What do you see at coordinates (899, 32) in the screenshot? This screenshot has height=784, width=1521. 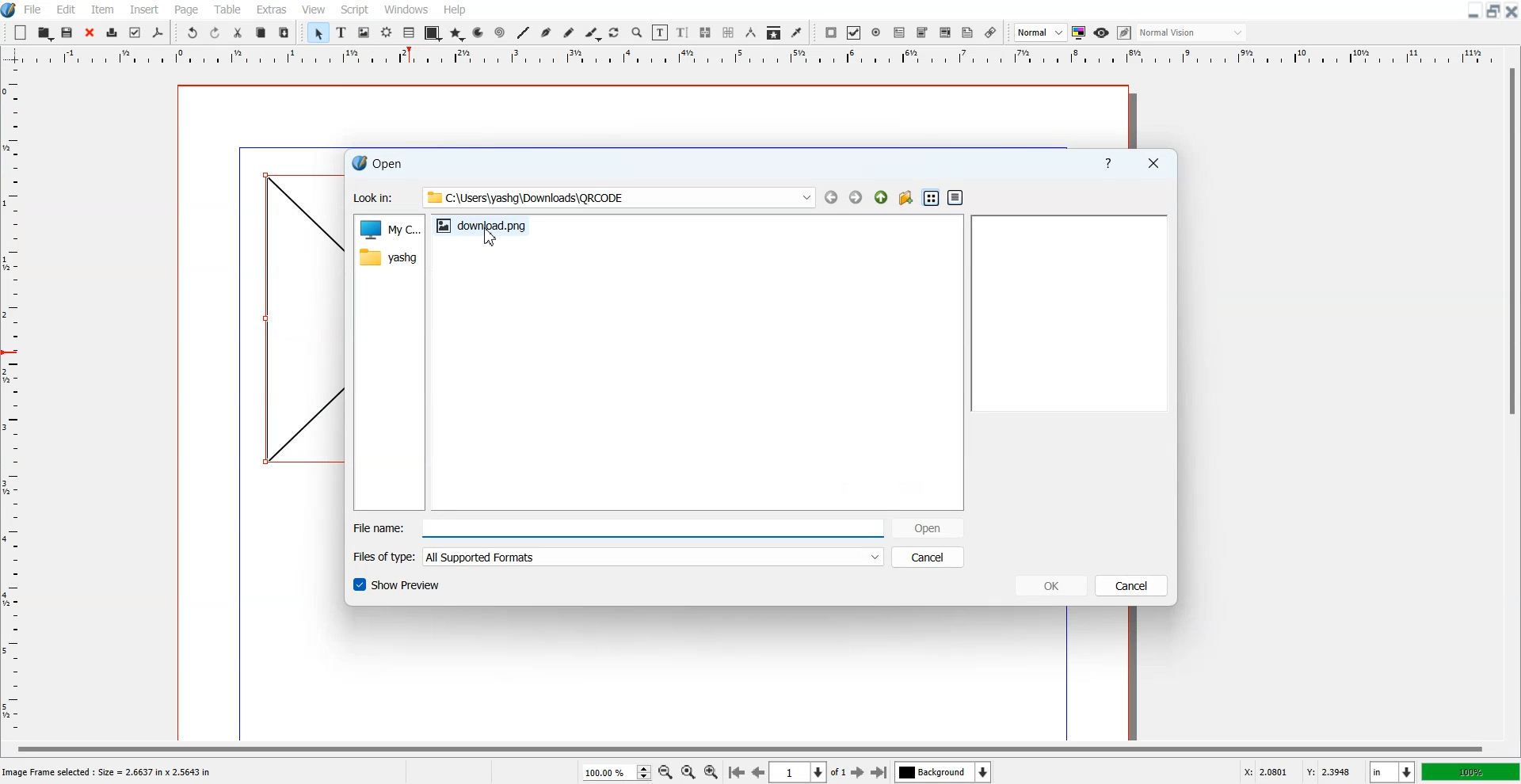 I see `PDF Text Field` at bounding box center [899, 32].